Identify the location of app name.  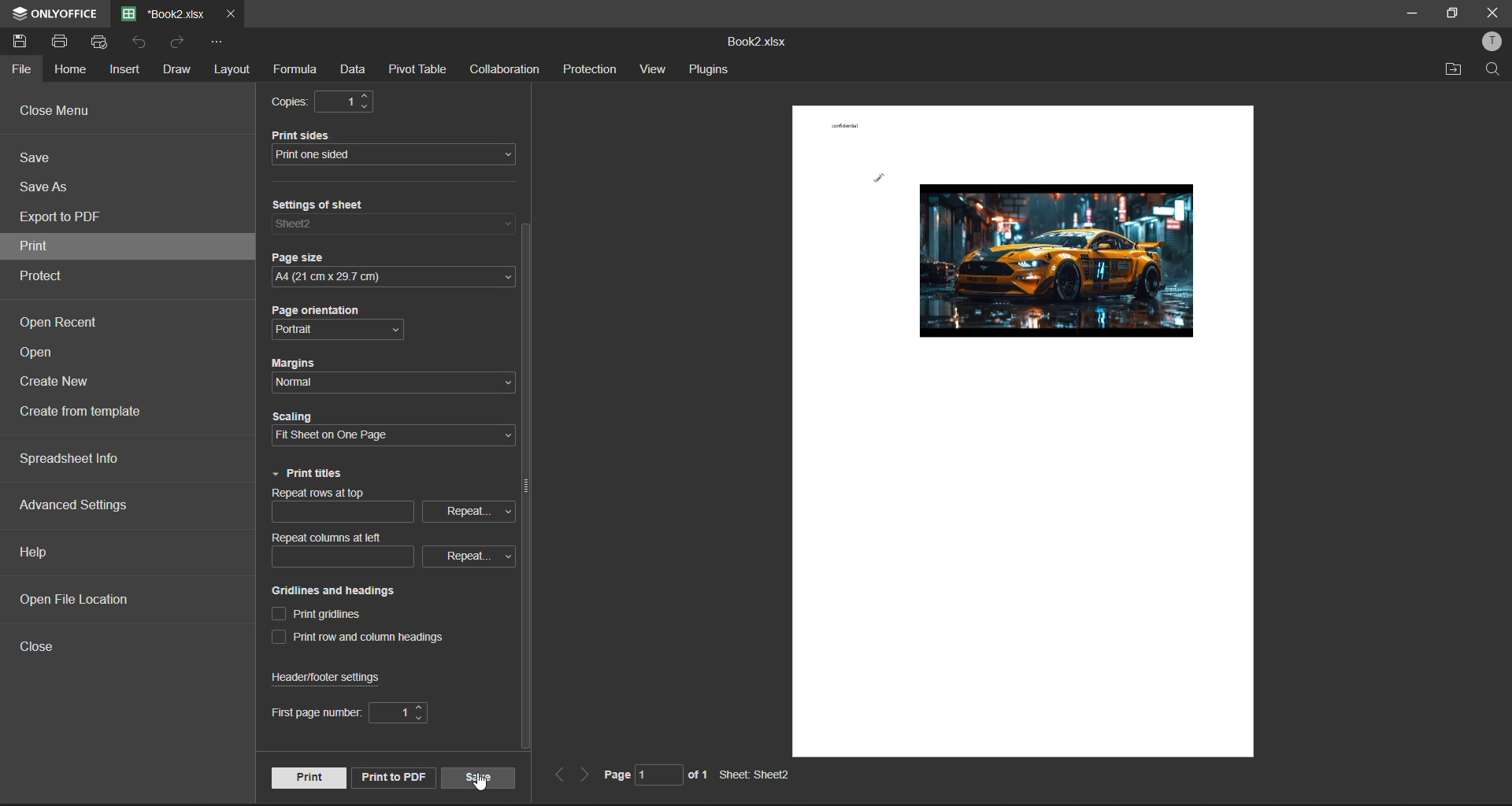
(52, 11).